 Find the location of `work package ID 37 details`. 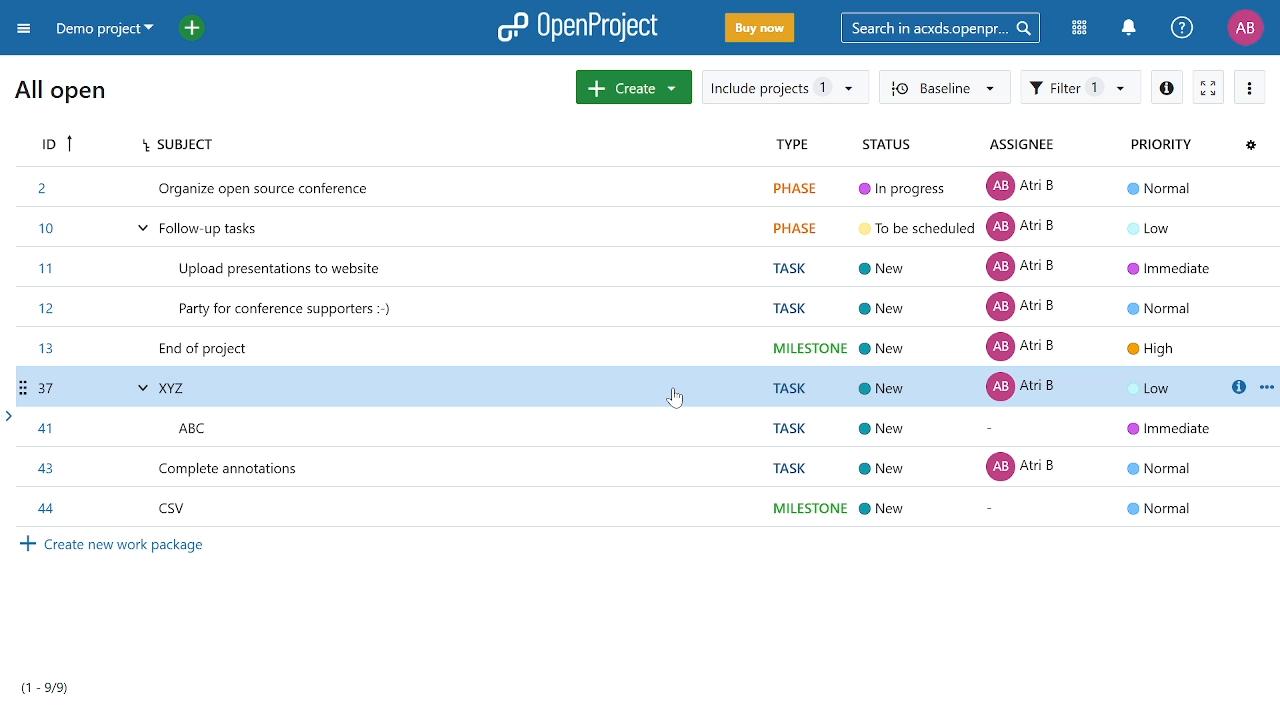

work package ID 37 details is located at coordinates (648, 391).